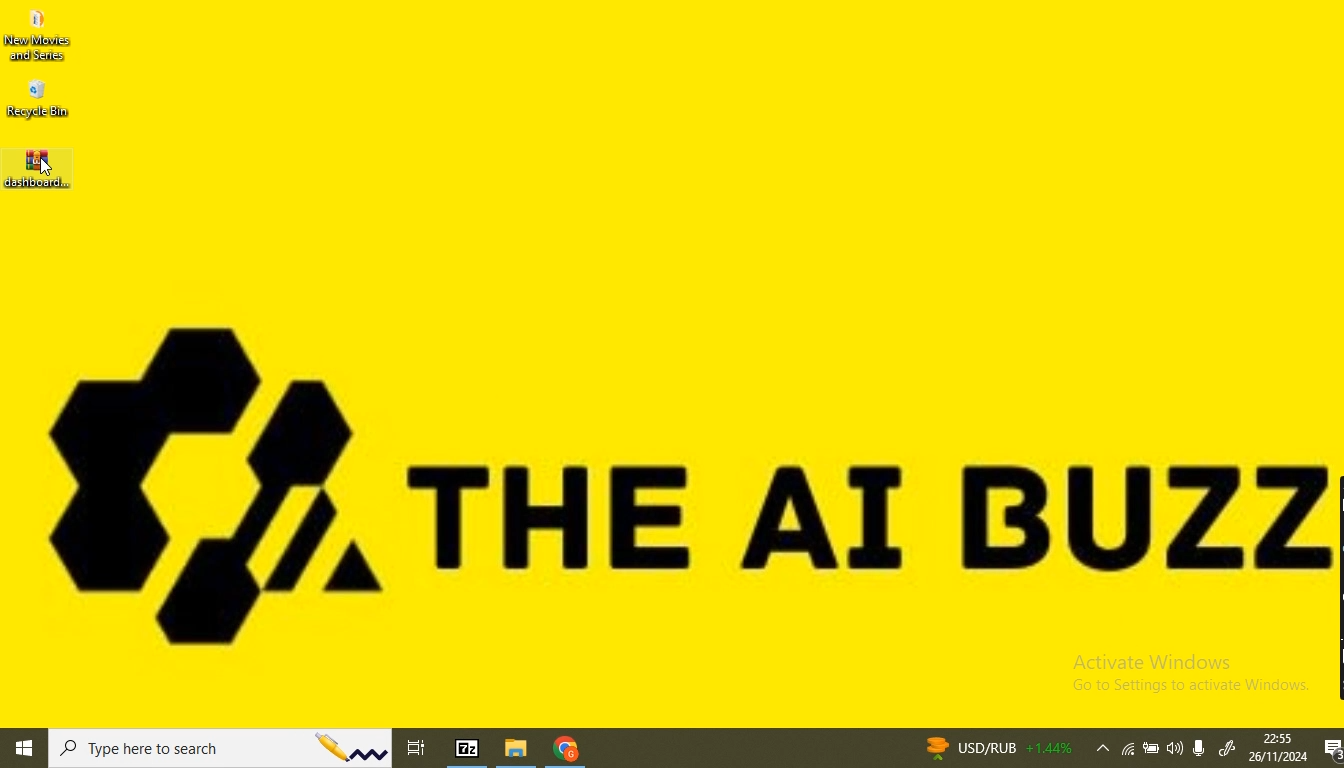 This screenshot has width=1344, height=768. I want to click on task view, so click(421, 745).